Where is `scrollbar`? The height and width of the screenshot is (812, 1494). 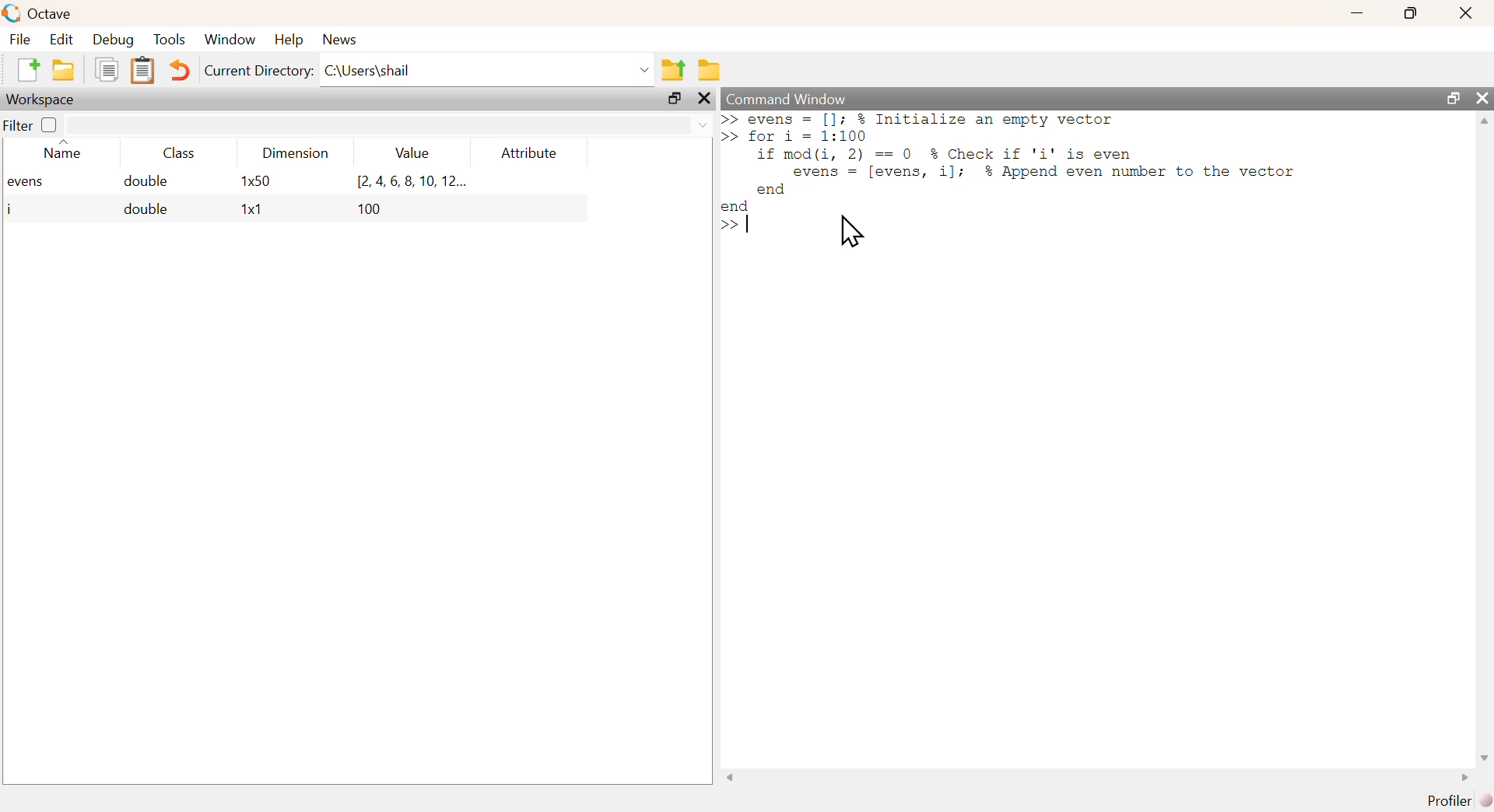
scrollbar is located at coordinates (1485, 442).